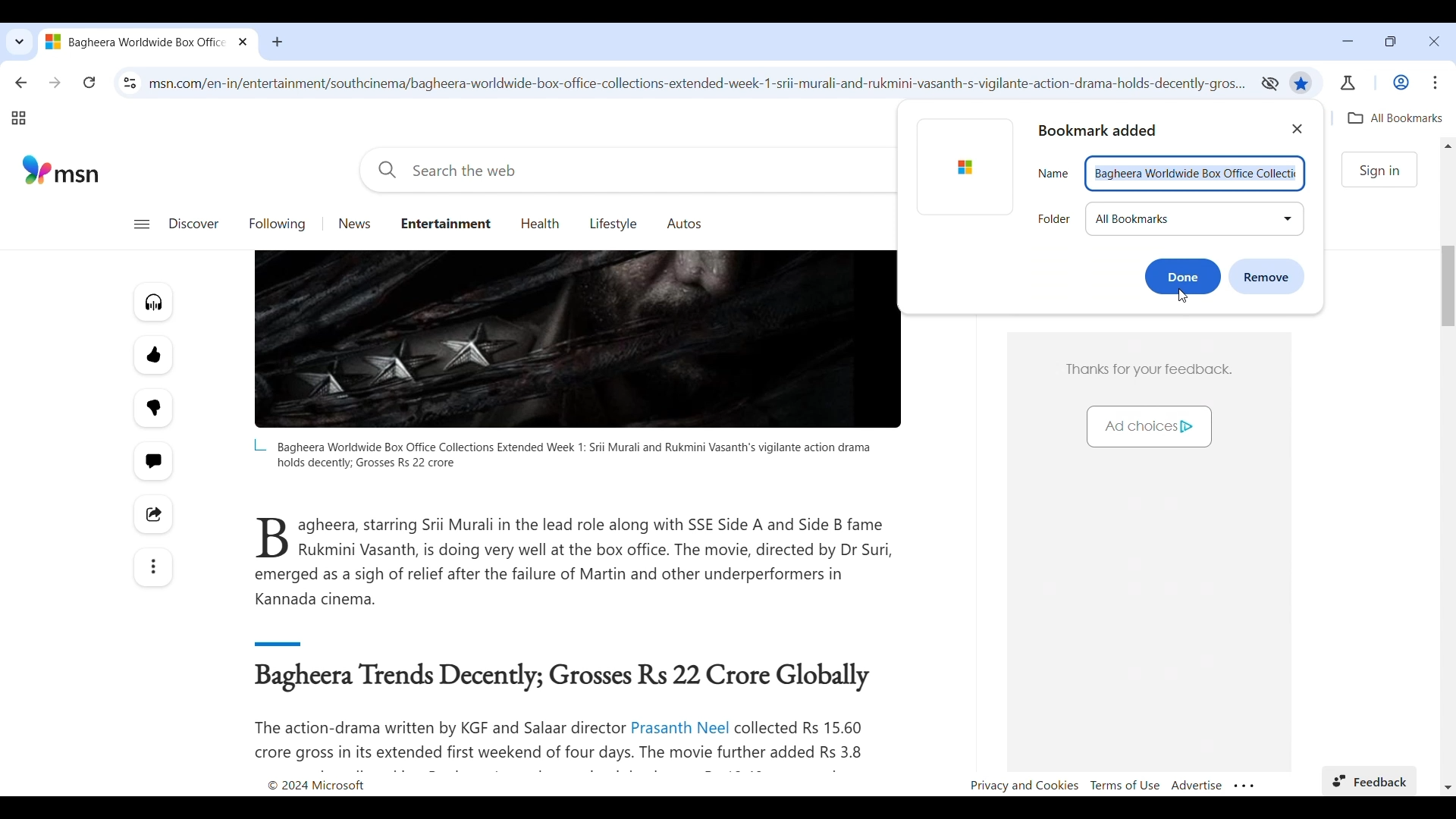 The width and height of the screenshot is (1456, 819). Describe the element at coordinates (578, 340) in the screenshot. I see `Article banner` at that location.